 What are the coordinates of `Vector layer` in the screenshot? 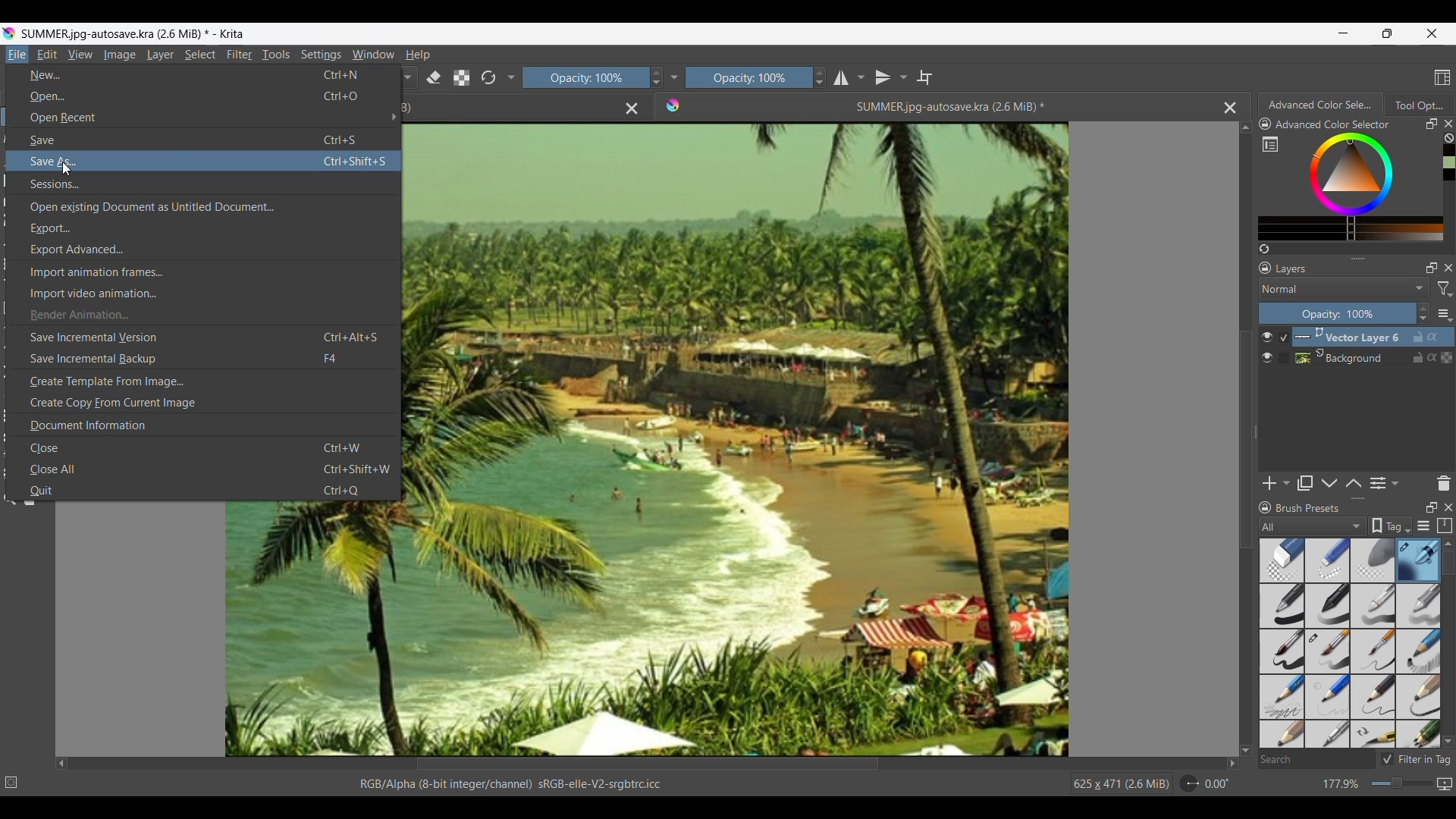 It's located at (1373, 337).